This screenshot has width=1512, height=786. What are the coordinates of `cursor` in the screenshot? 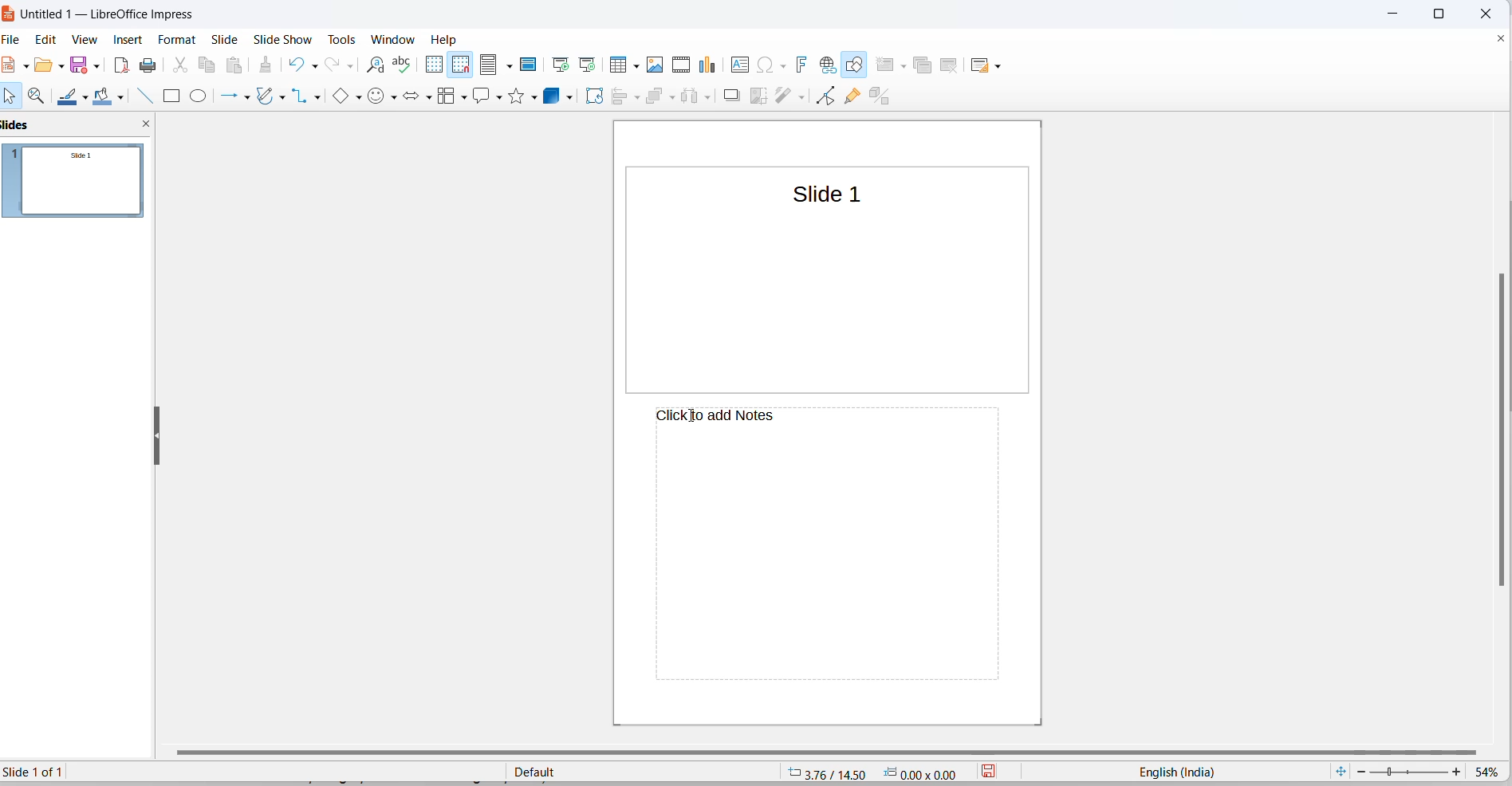 It's located at (513, 71).